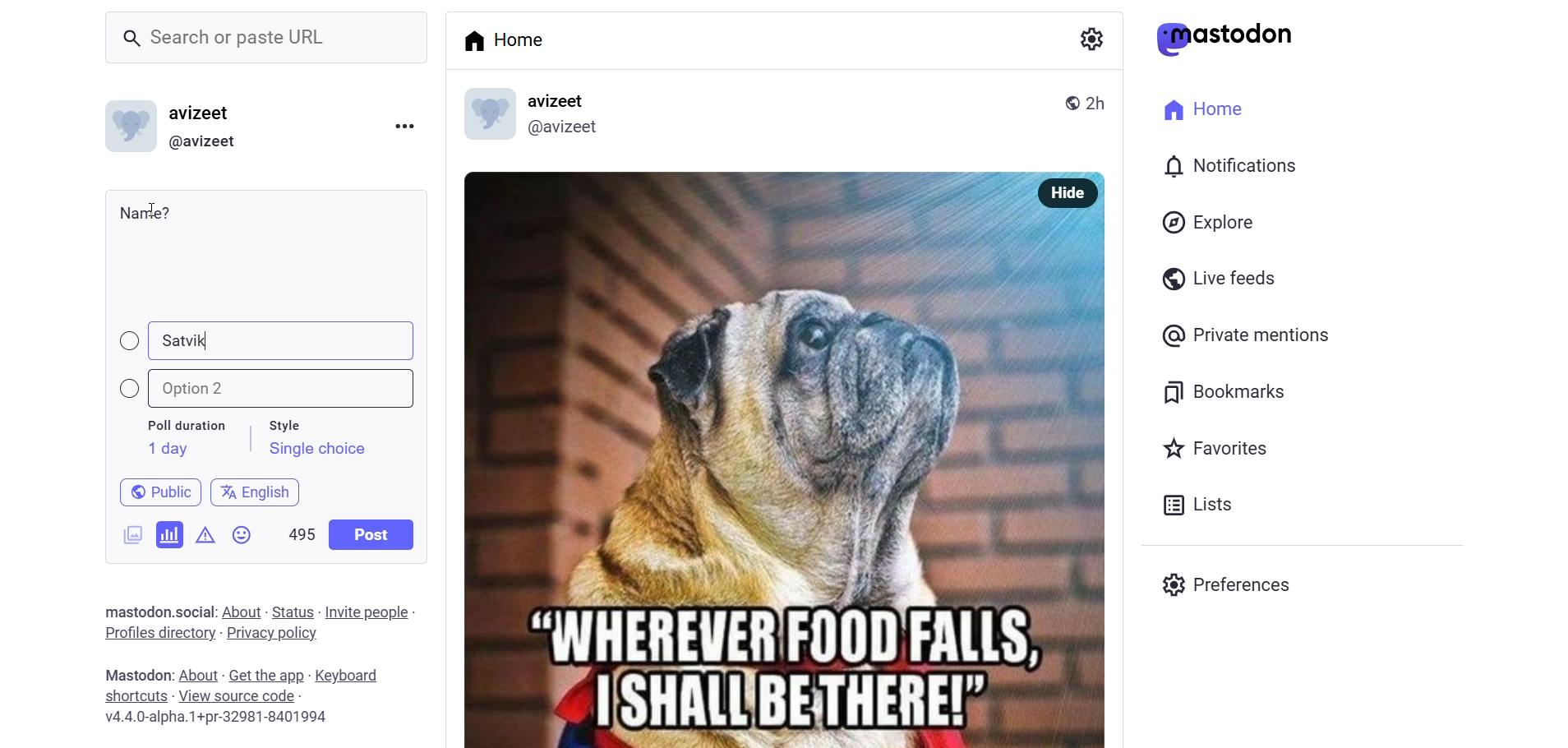 The width and height of the screenshot is (1568, 748). I want to click on duration, so click(187, 427).